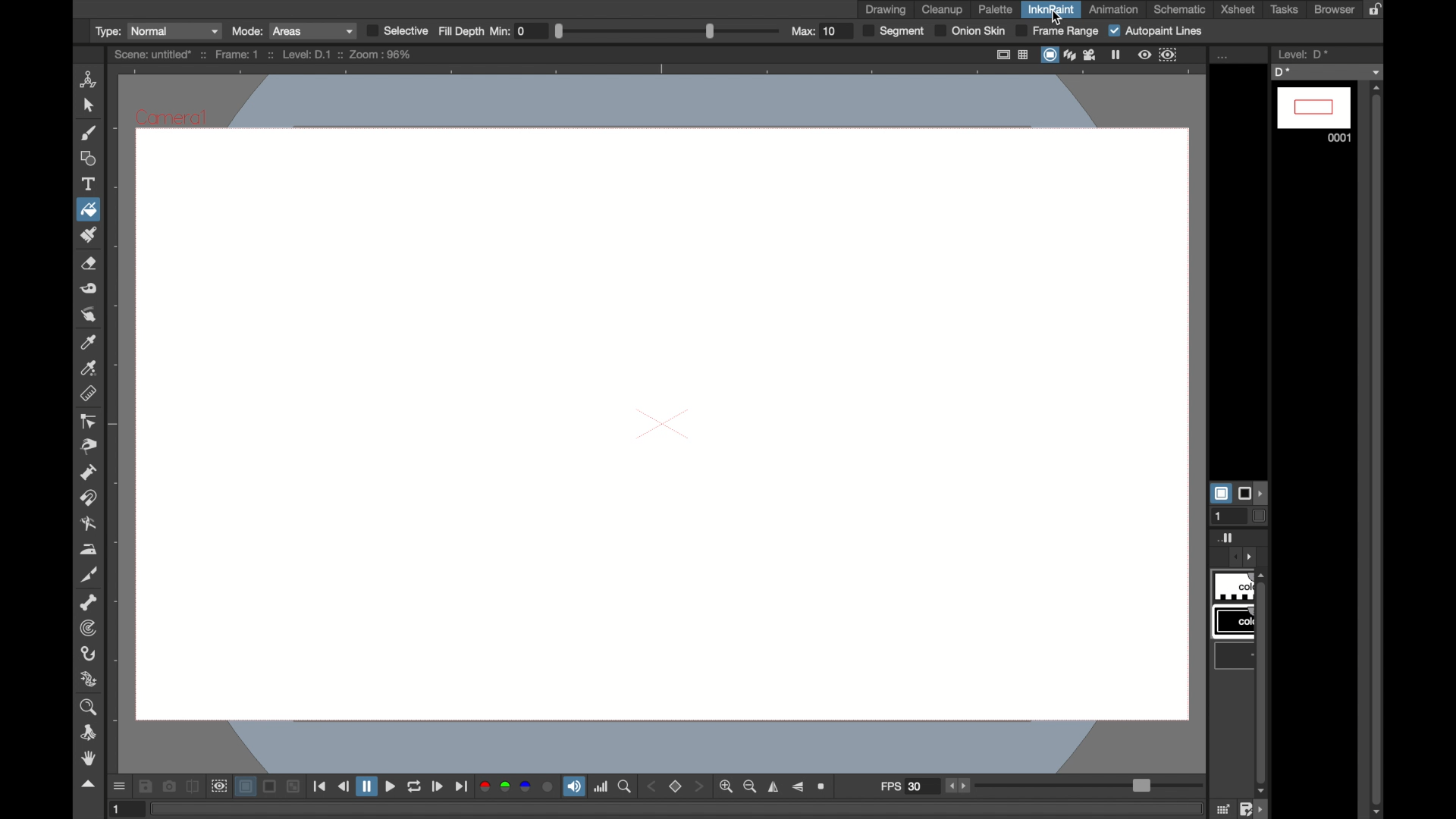 The height and width of the screenshot is (819, 1456). Describe the element at coordinates (943, 10) in the screenshot. I see `cleanup` at that location.